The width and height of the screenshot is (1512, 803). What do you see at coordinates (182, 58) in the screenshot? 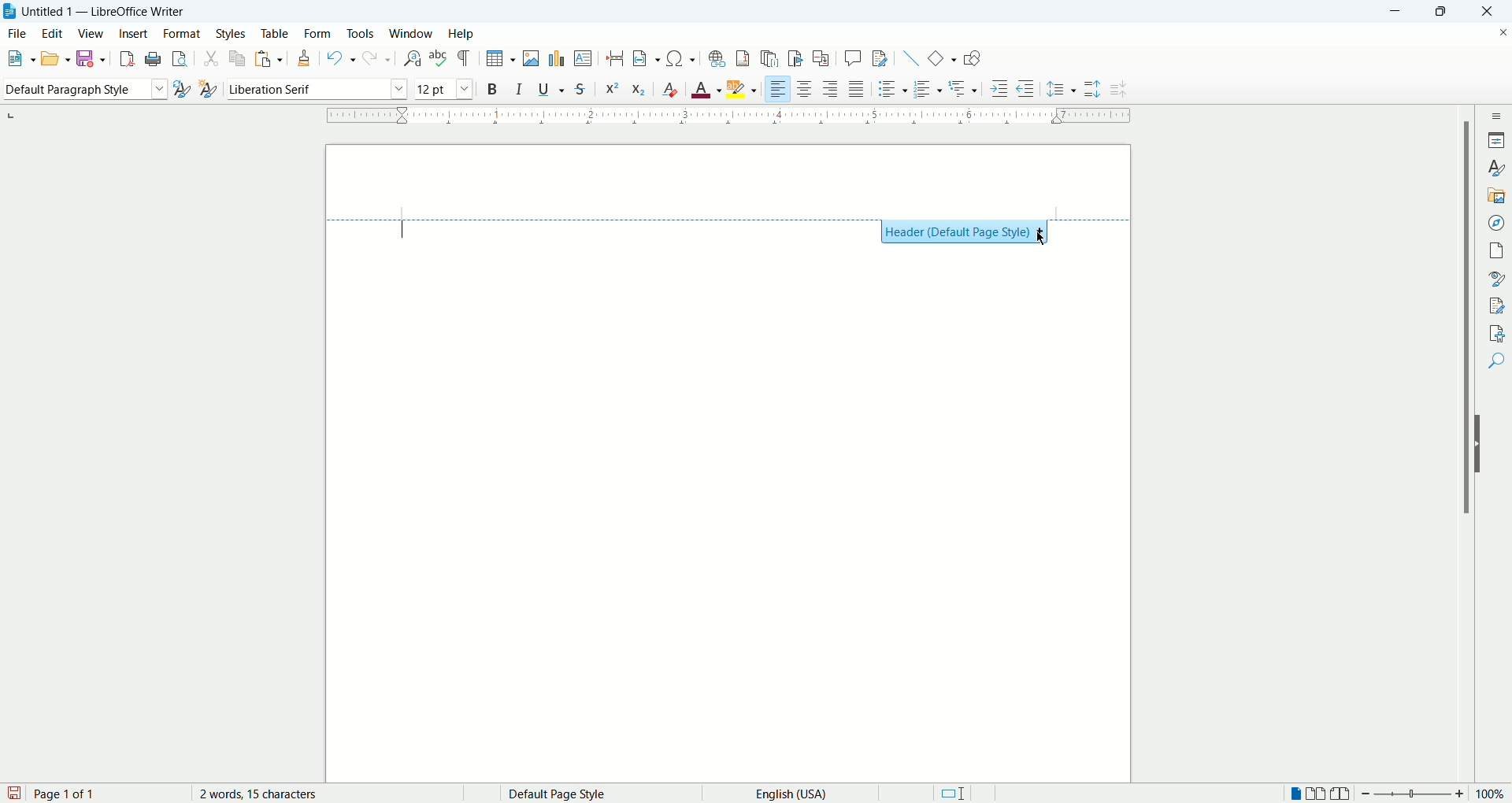
I see `print preview` at bounding box center [182, 58].